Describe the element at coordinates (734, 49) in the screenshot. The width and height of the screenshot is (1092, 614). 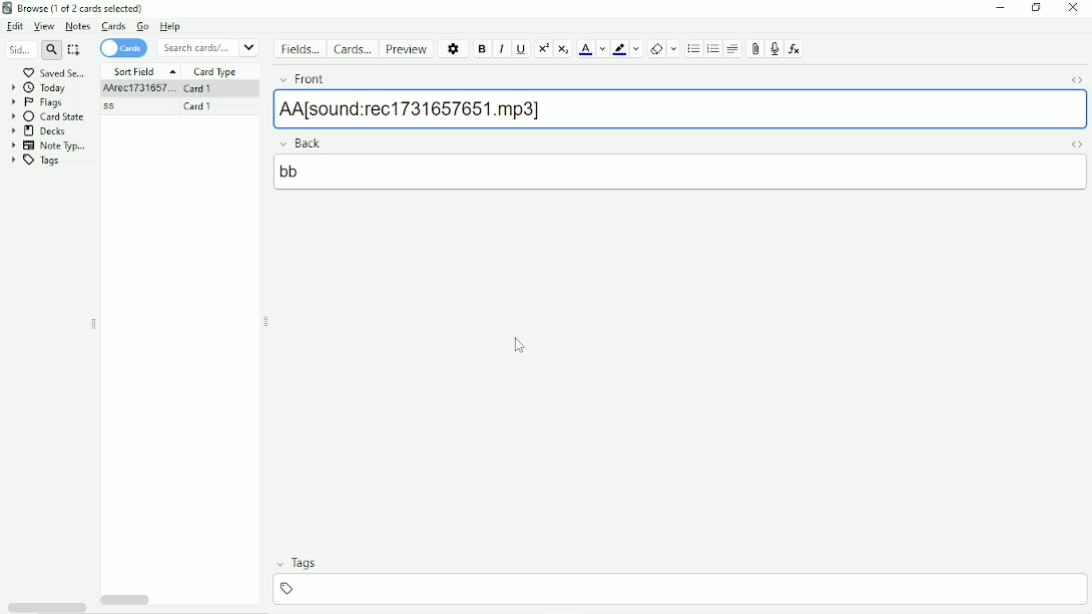
I see `Alignment` at that location.